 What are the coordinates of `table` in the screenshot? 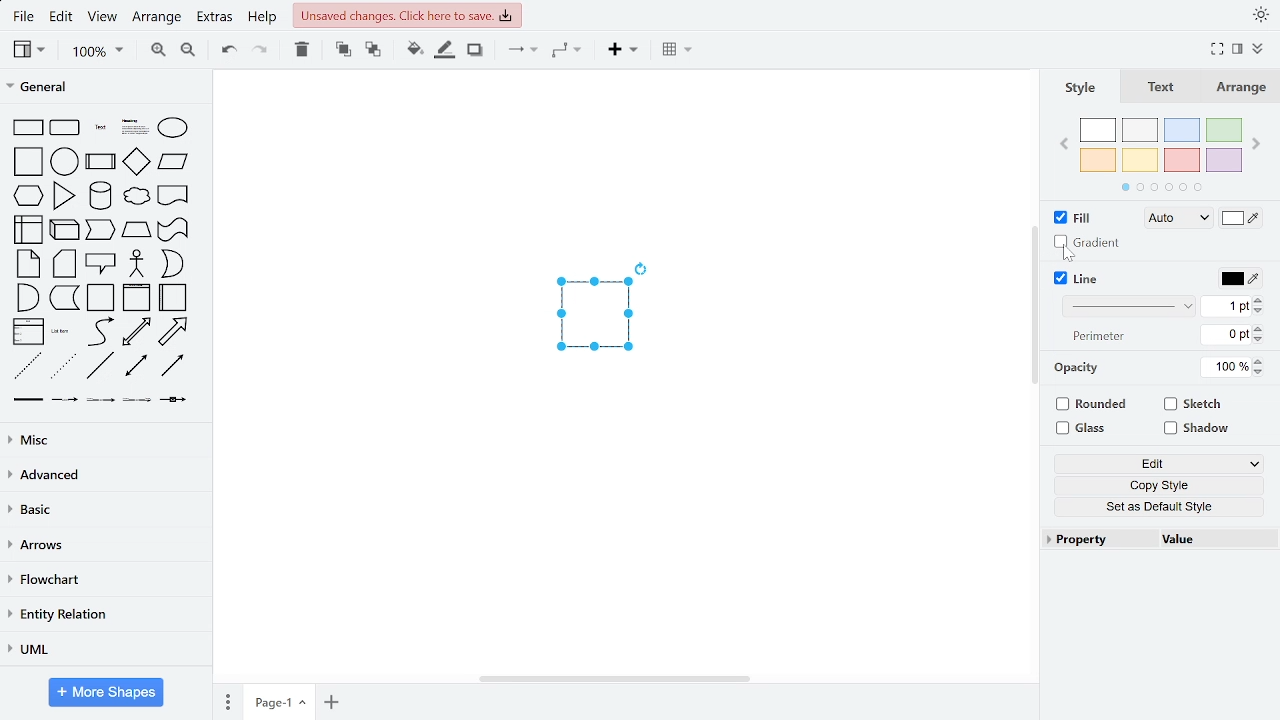 It's located at (674, 52).